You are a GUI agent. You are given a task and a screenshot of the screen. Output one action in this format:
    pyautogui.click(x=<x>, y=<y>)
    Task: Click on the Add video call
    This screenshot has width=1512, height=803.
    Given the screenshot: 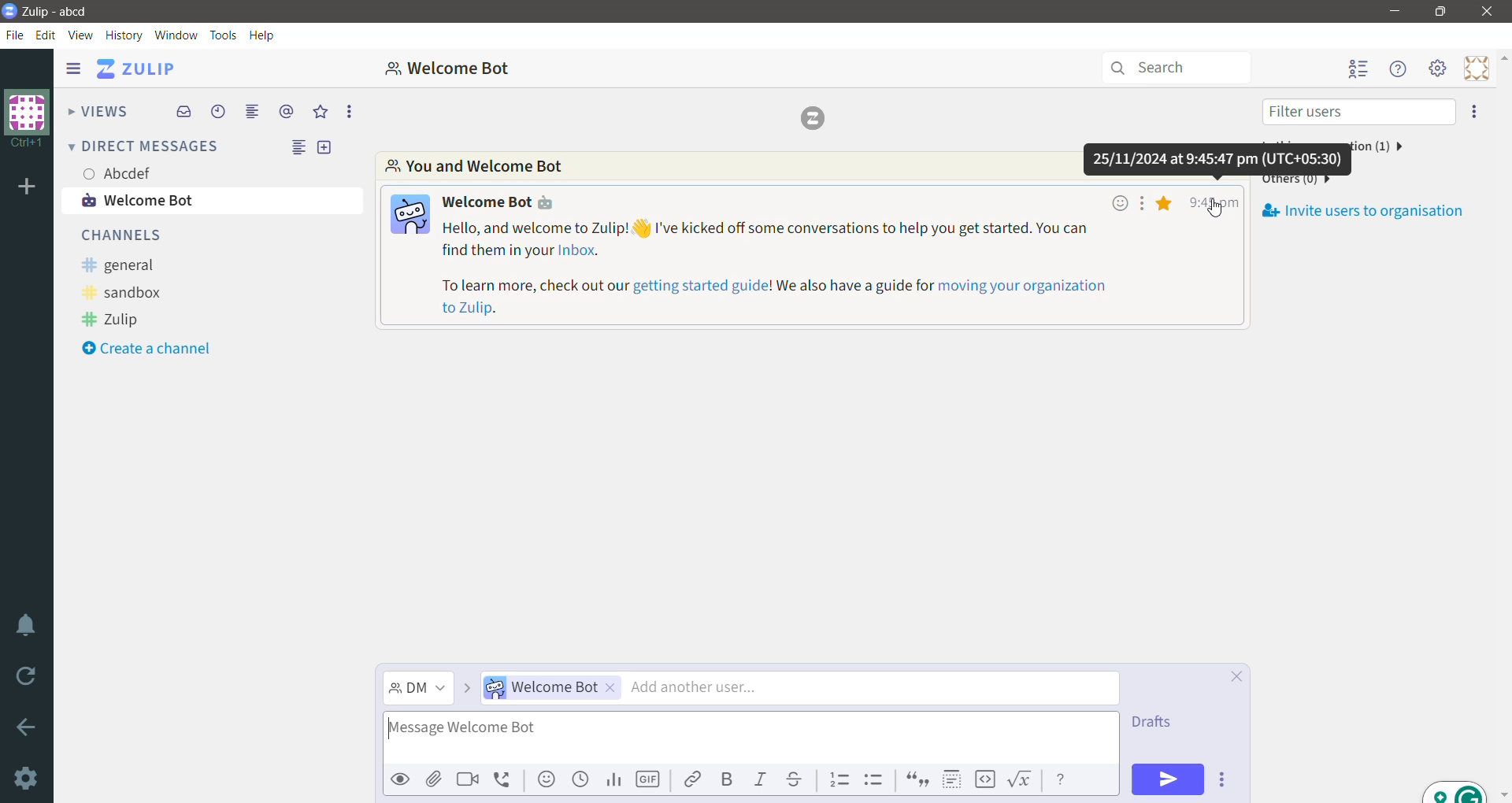 What is the action you would take?
    pyautogui.click(x=469, y=780)
    